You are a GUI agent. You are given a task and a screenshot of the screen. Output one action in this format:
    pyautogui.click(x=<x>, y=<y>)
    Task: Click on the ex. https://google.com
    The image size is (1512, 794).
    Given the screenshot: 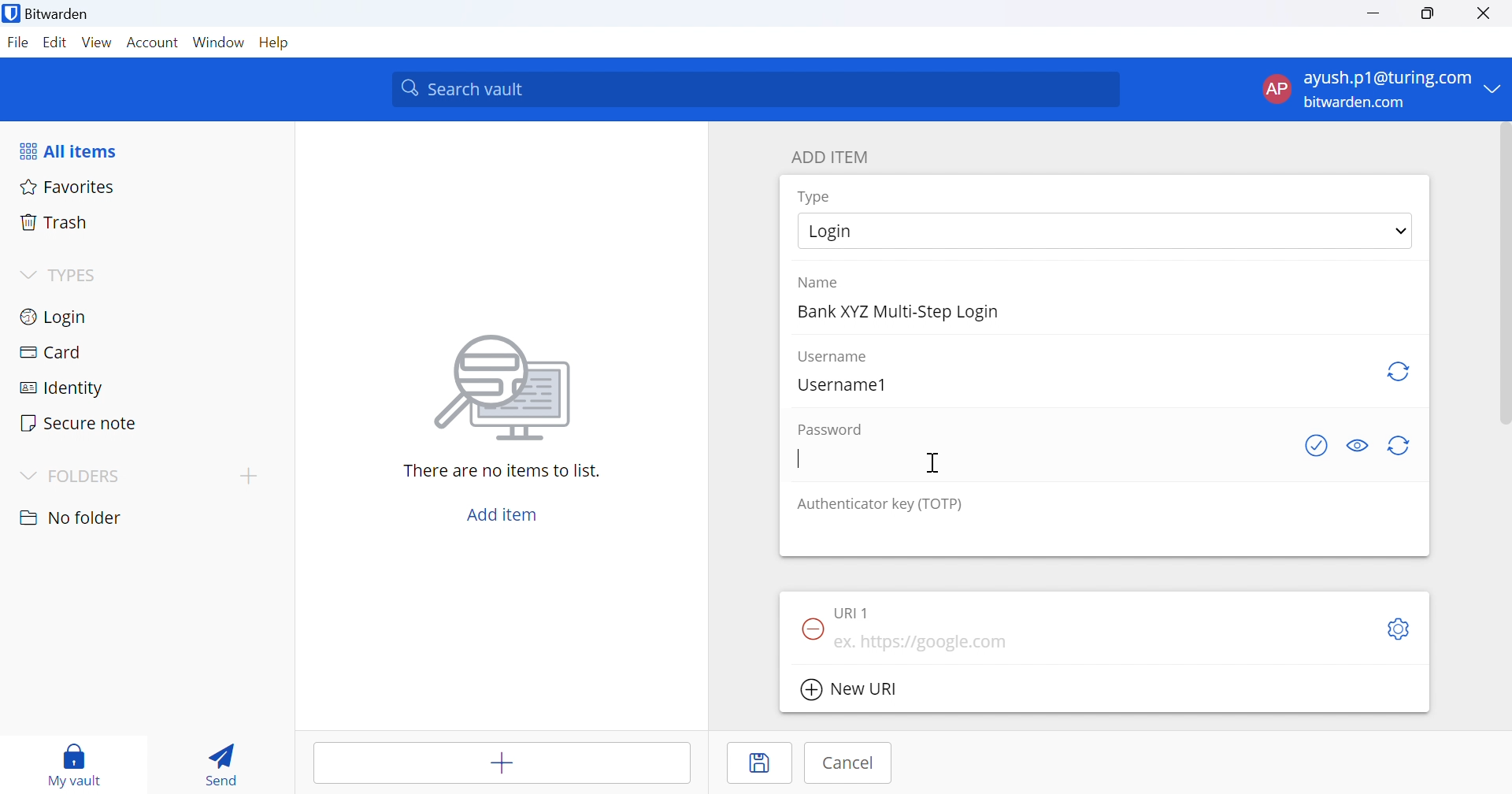 What is the action you would take?
    pyautogui.click(x=925, y=644)
    